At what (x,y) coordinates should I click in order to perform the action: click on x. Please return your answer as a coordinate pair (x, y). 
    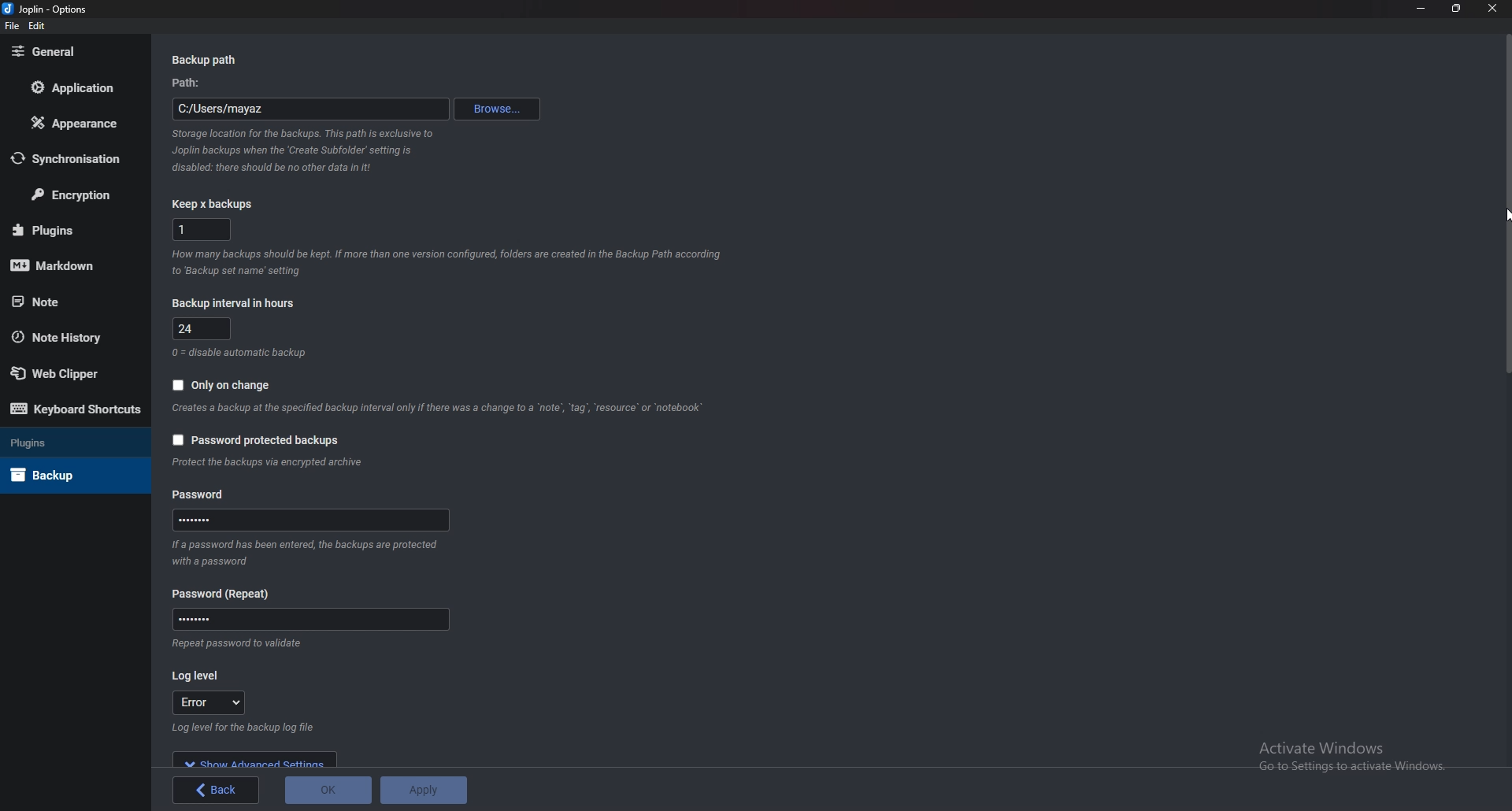
    Looking at the image, I should click on (203, 230).